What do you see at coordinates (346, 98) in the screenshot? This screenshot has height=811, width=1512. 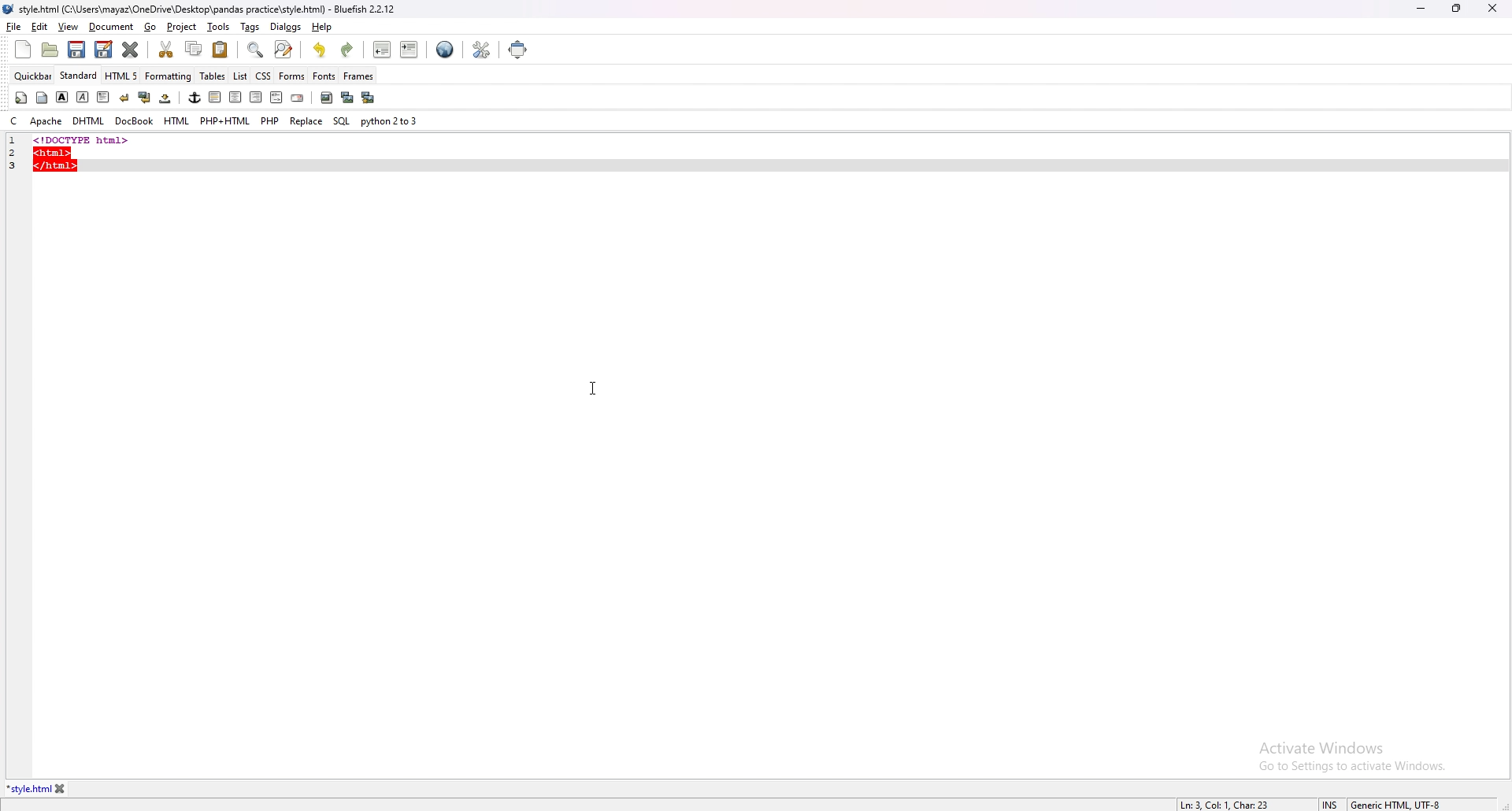 I see `insert thumbnail` at bounding box center [346, 98].